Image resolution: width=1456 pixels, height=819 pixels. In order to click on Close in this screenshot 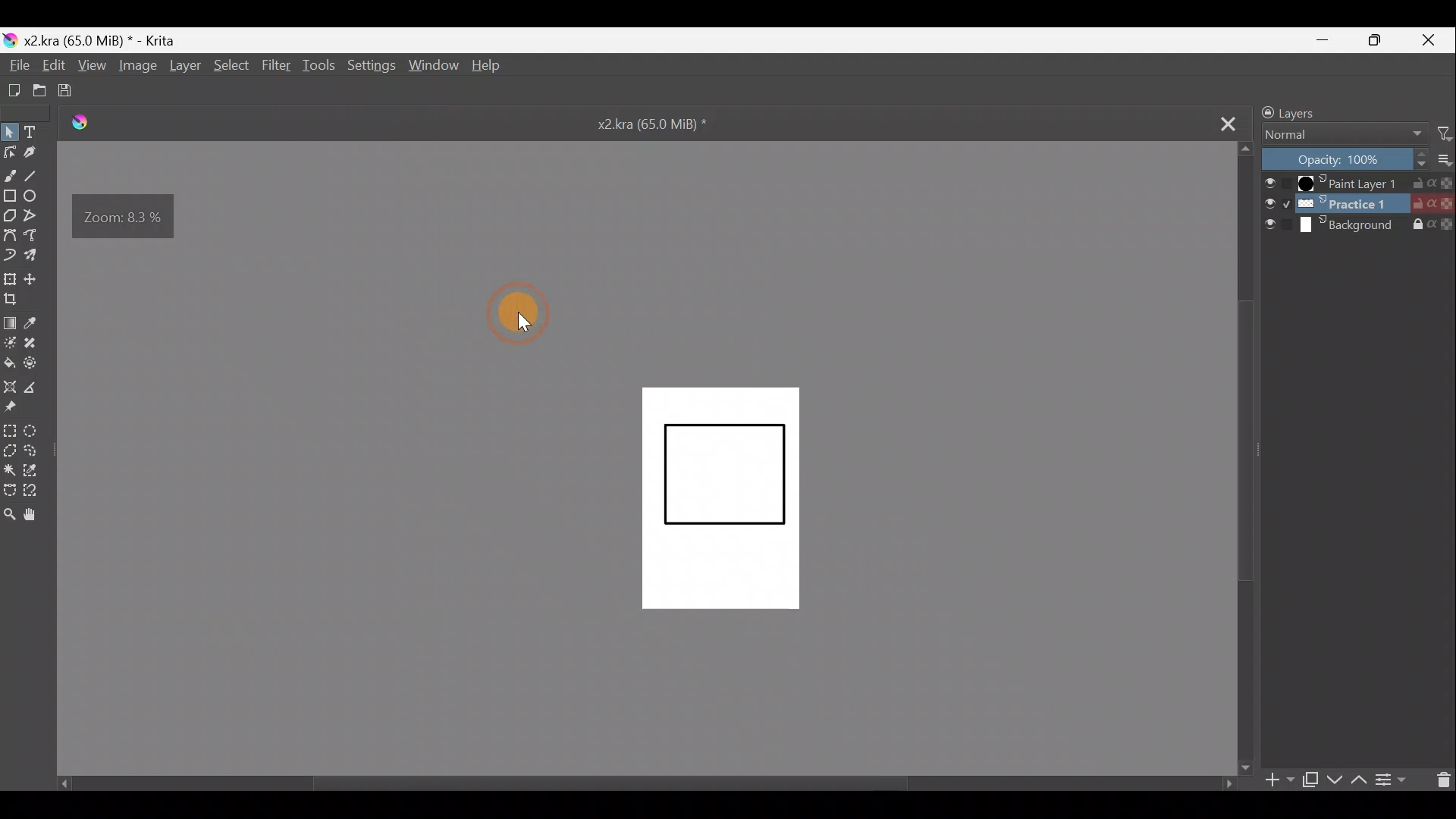, I will do `click(1432, 39)`.